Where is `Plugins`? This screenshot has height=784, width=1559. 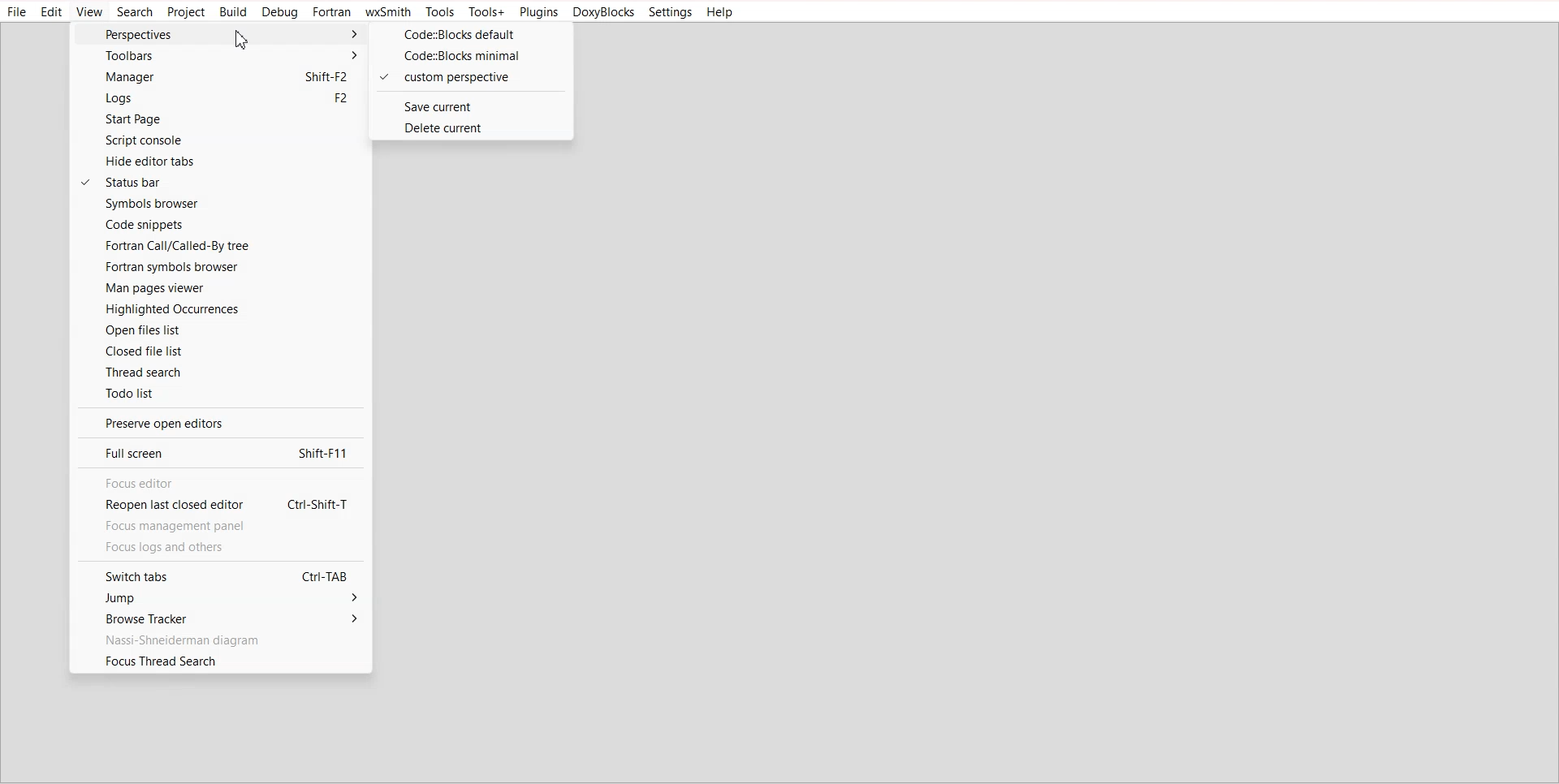
Plugins is located at coordinates (538, 13).